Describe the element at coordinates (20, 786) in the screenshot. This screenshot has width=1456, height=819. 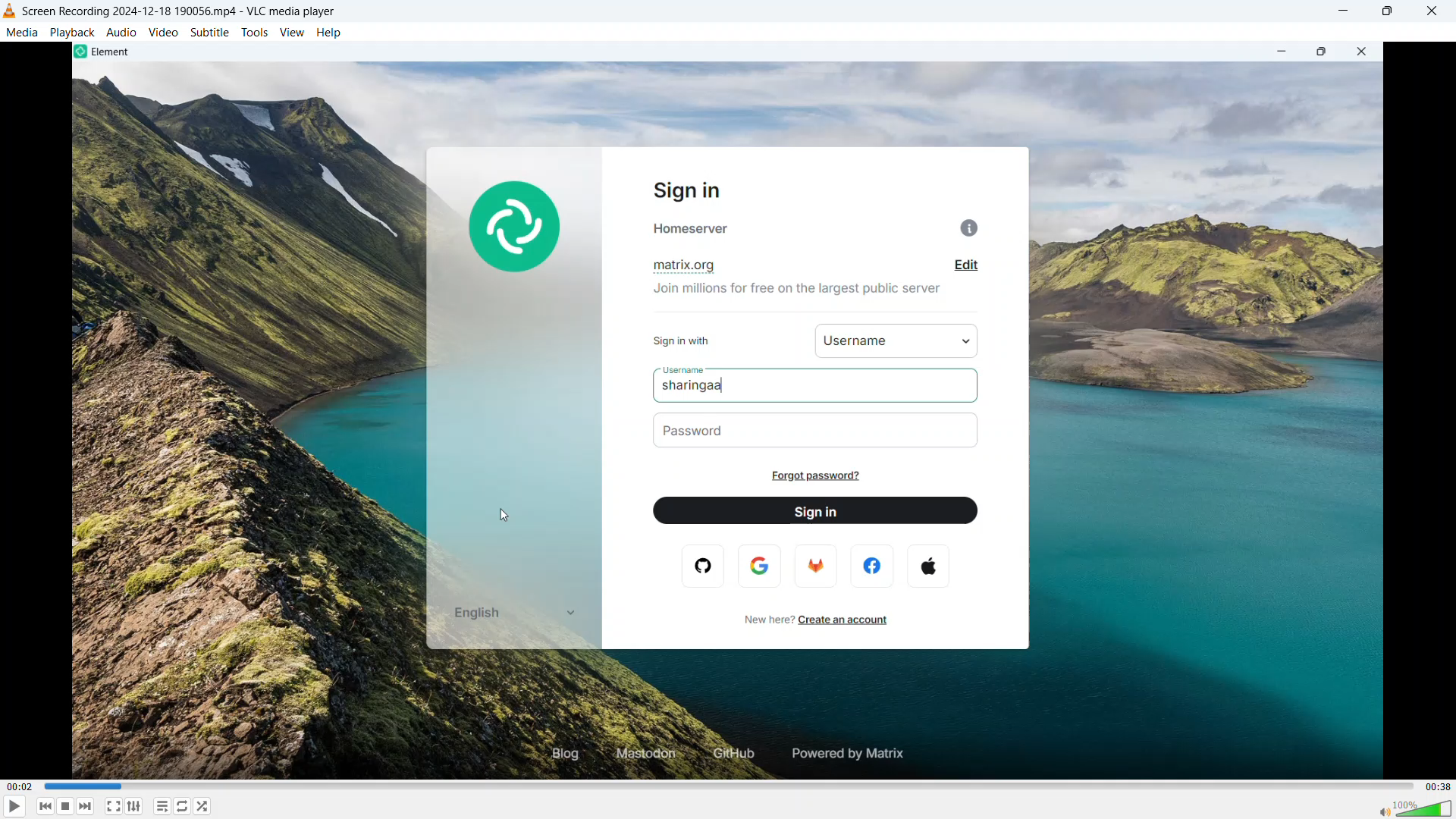
I see `Time elapsed ` at that location.